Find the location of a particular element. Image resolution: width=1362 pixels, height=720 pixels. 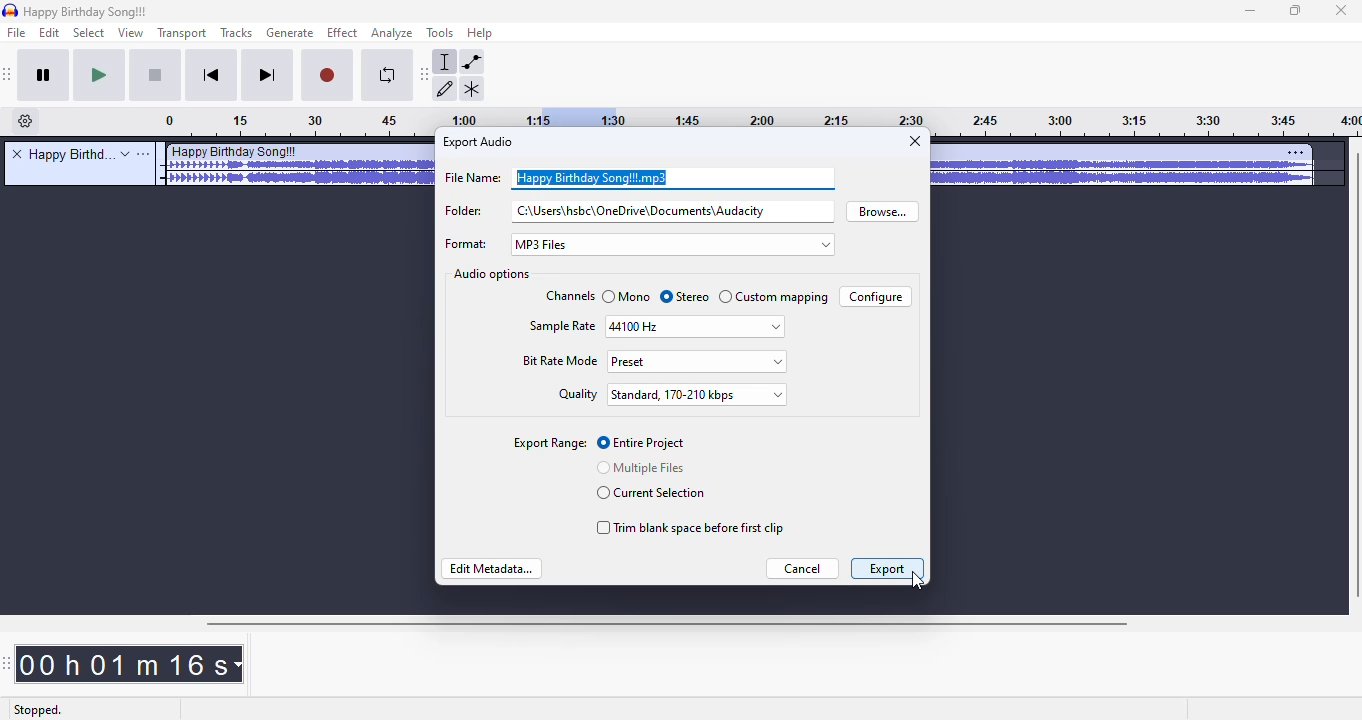

standard, 170-210 kbps is located at coordinates (695, 395).